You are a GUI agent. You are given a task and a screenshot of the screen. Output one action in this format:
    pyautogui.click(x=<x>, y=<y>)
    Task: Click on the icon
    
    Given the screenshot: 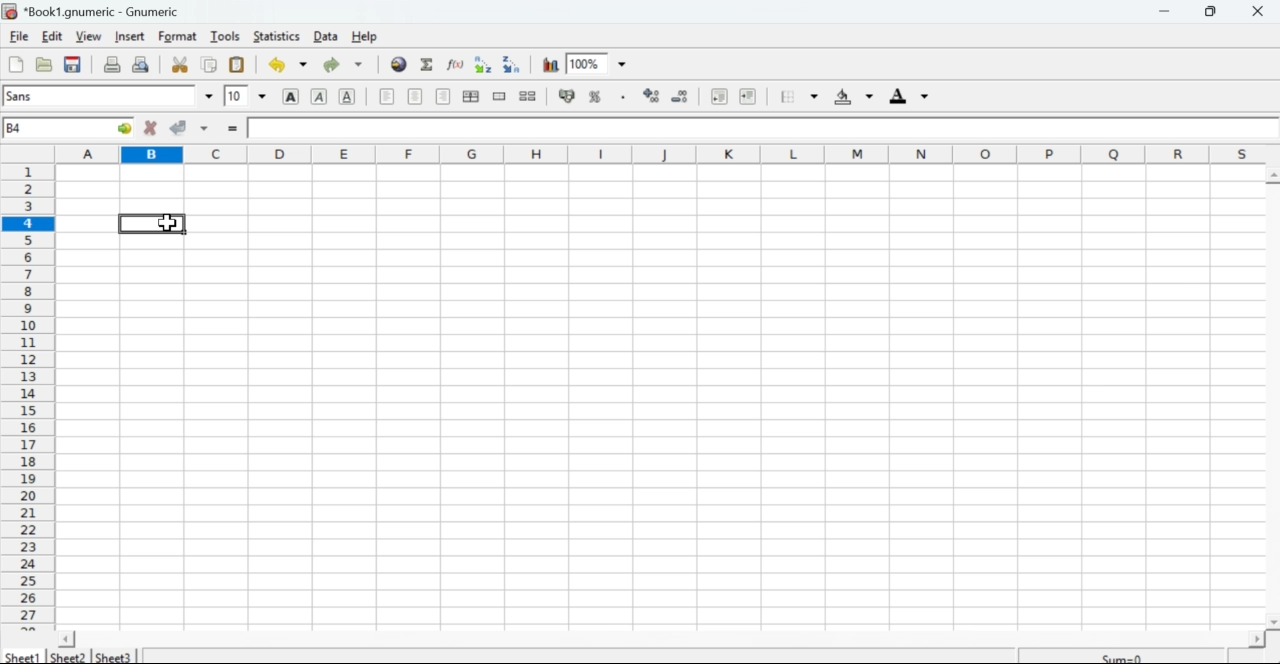 What is the action you would take?
    pyautogui.click(x=565, y=96)
    